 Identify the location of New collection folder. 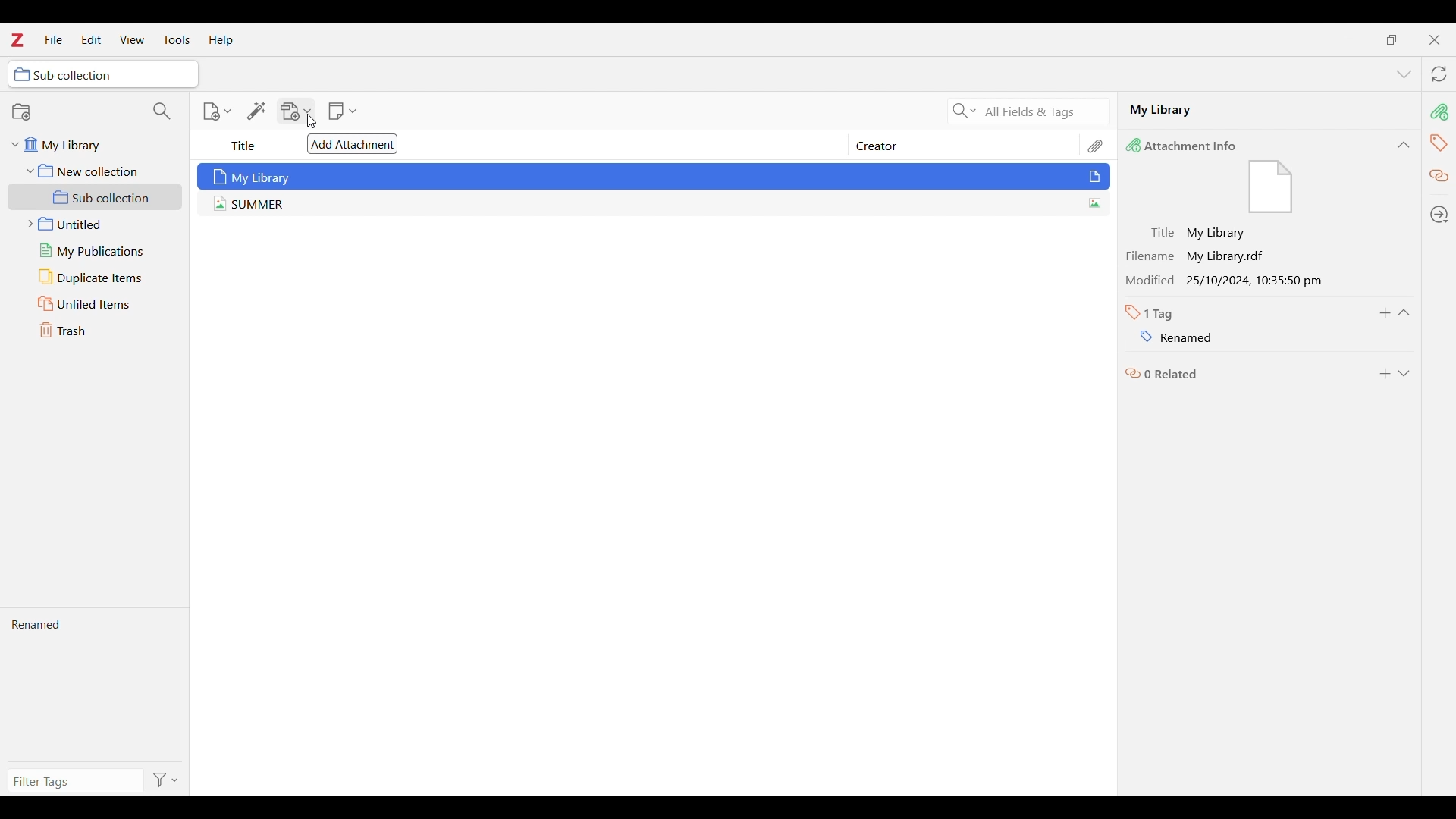
(94, 171).